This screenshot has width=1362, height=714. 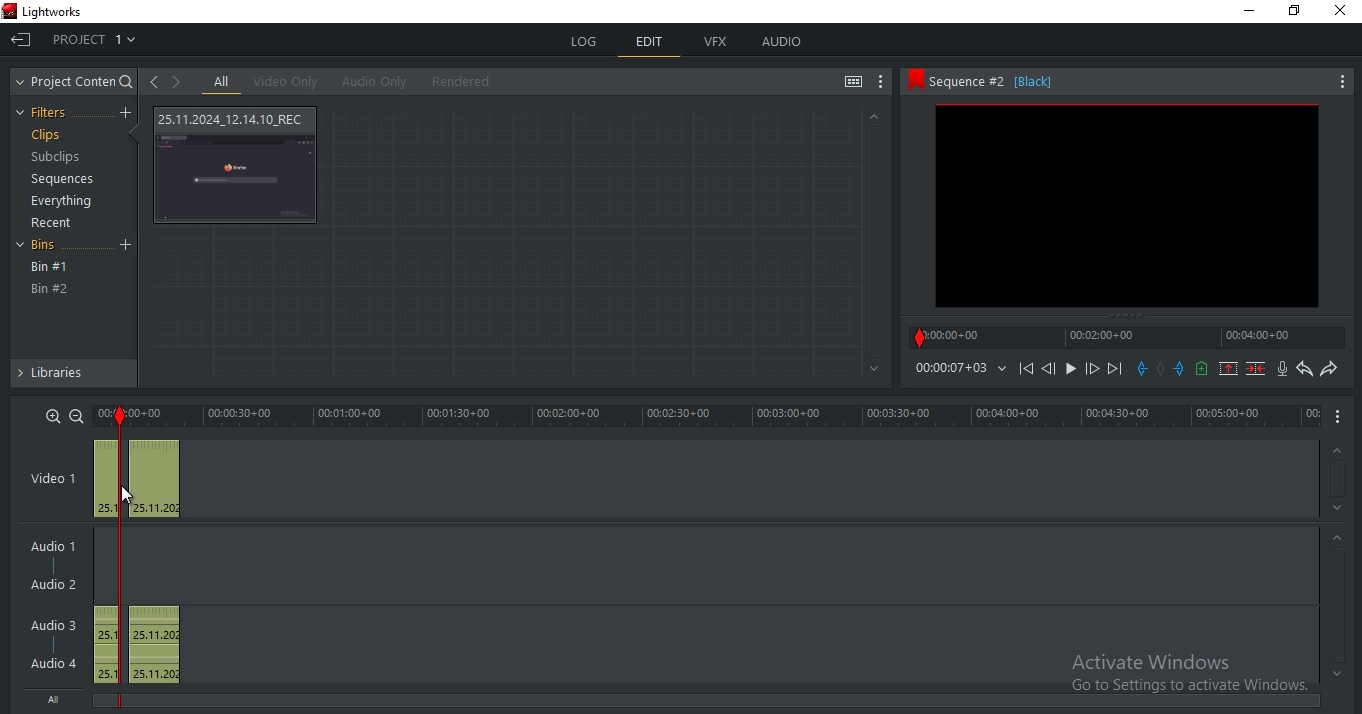 What do you see at coordinates (69, 11) in the screenshot?
I see `Lightworks` at bounding box center [69, 11].